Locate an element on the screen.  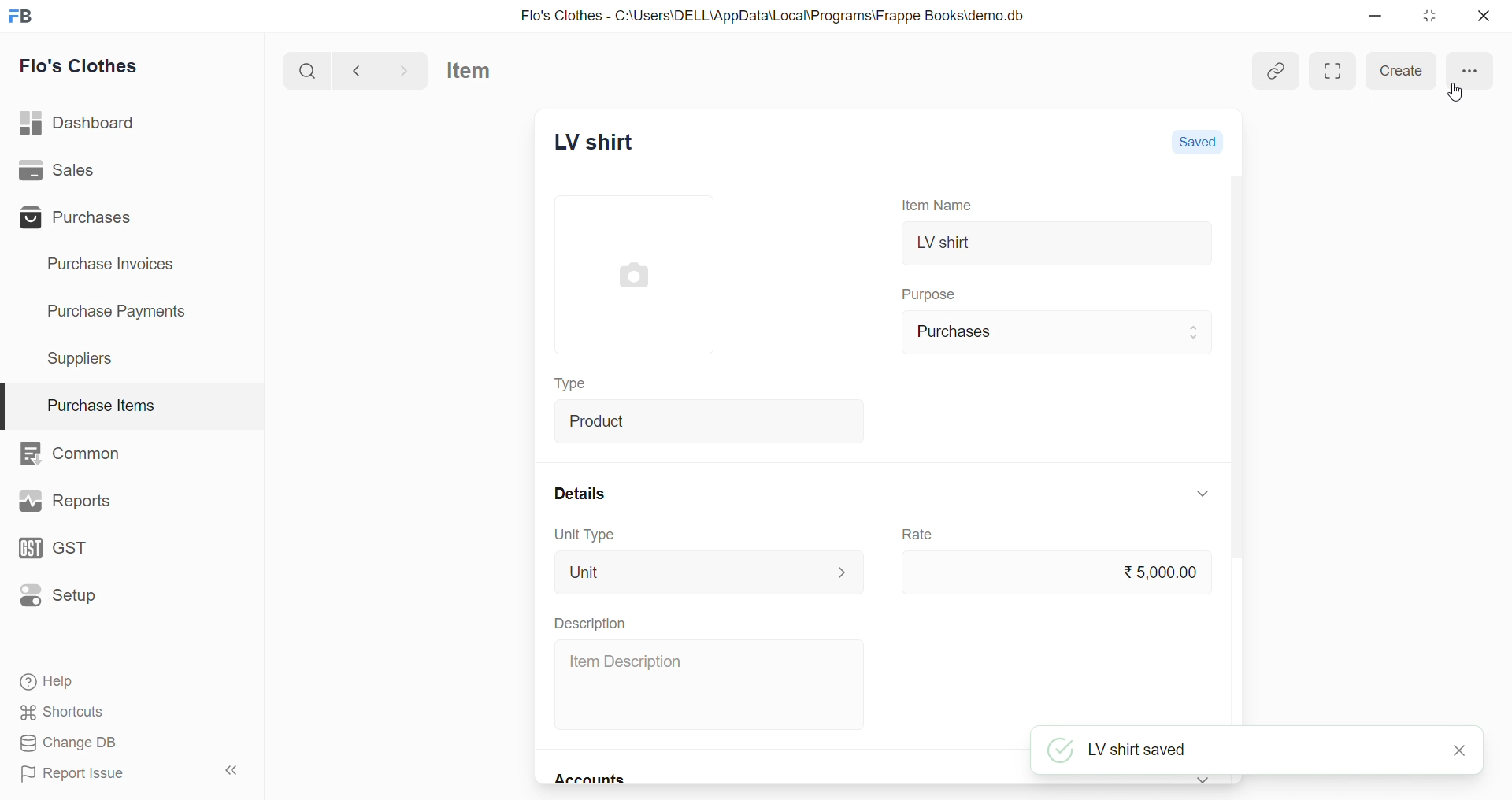
Add link is located at coordinates (1277, 72).